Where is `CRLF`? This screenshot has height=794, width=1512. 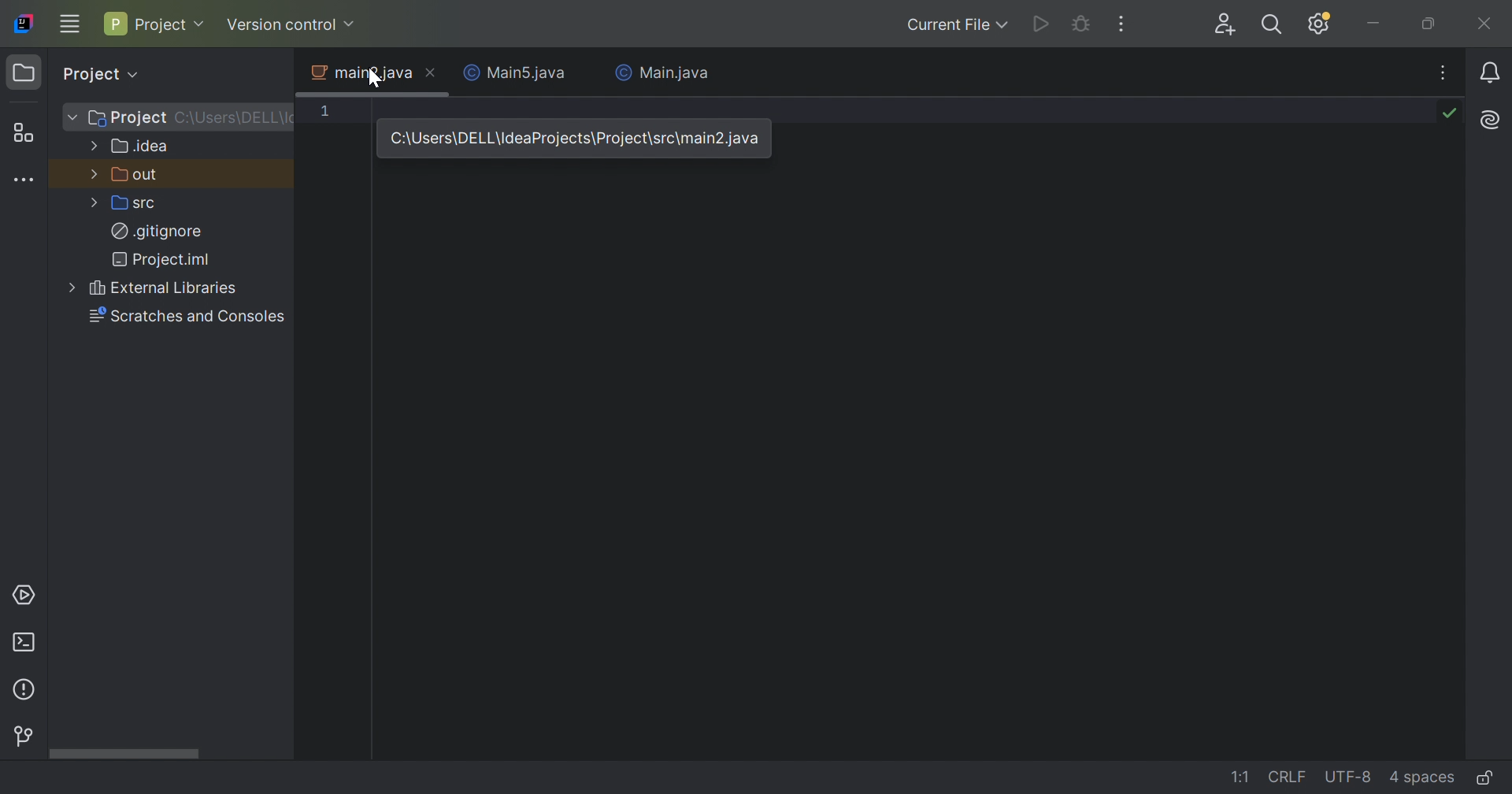
CRLF is located at coordinates (1290, 779).